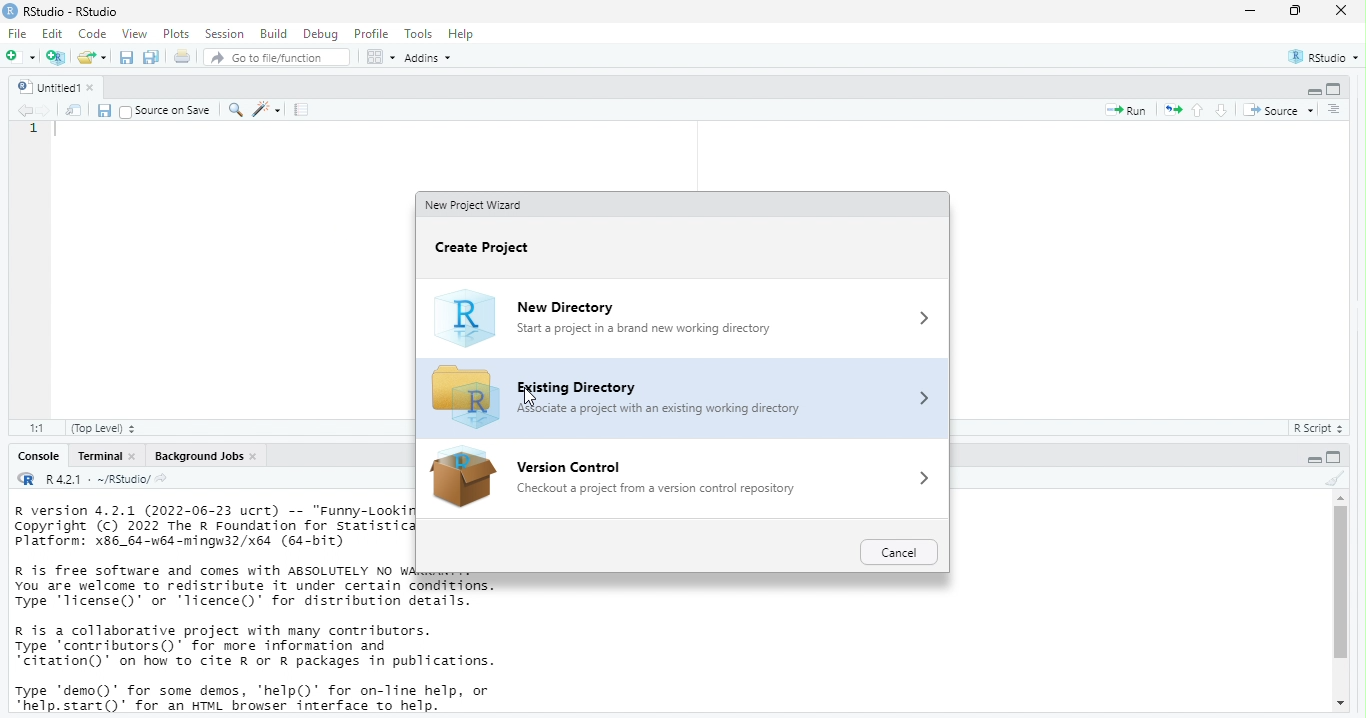  What do you see at coordinates (182, 57) in the screenshot?
I see `print the current file` at bounding box center [182, 57].